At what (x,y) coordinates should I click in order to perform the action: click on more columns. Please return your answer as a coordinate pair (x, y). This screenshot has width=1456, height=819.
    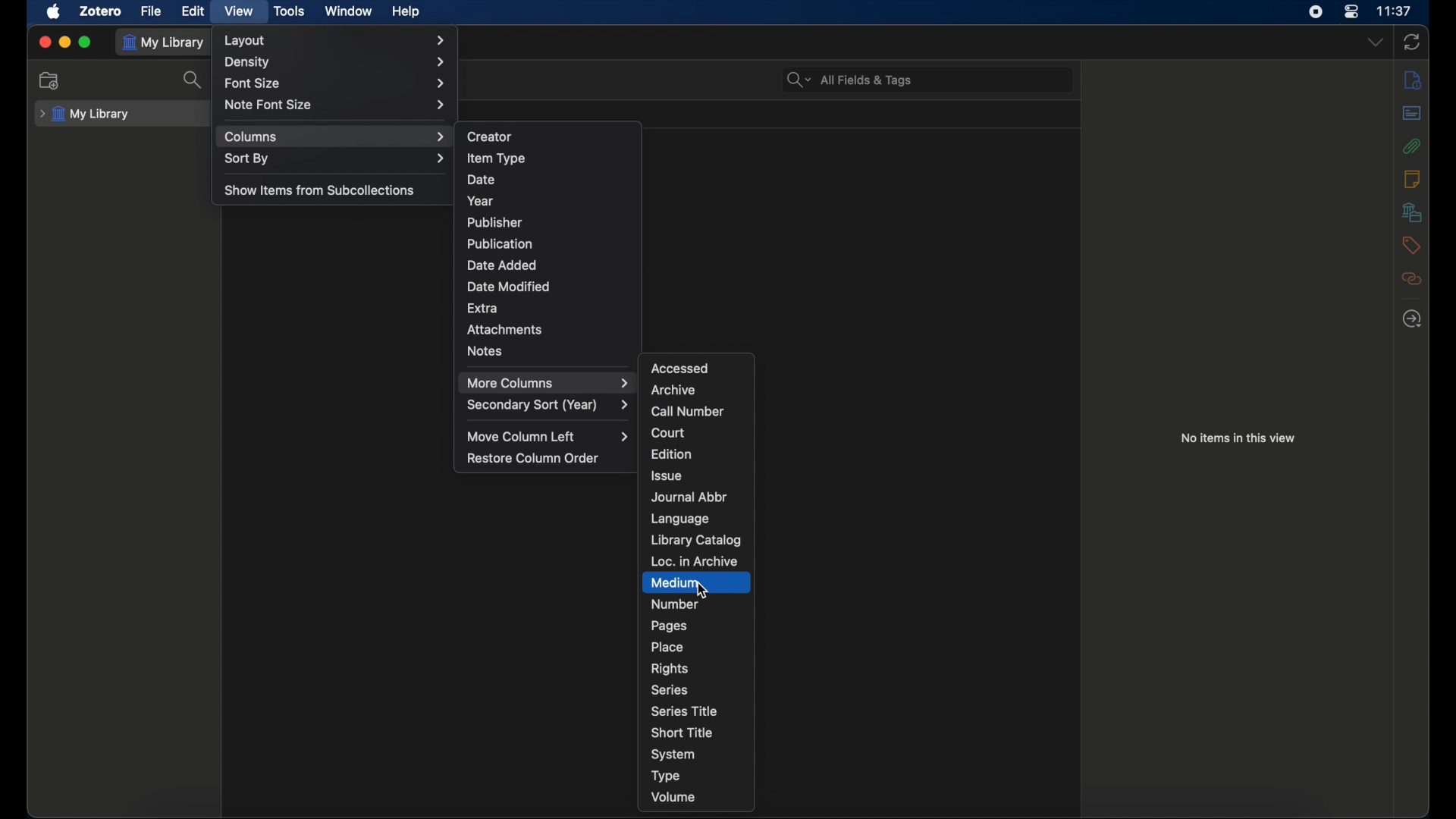
    Looking at the image, I should click on (548, 383).